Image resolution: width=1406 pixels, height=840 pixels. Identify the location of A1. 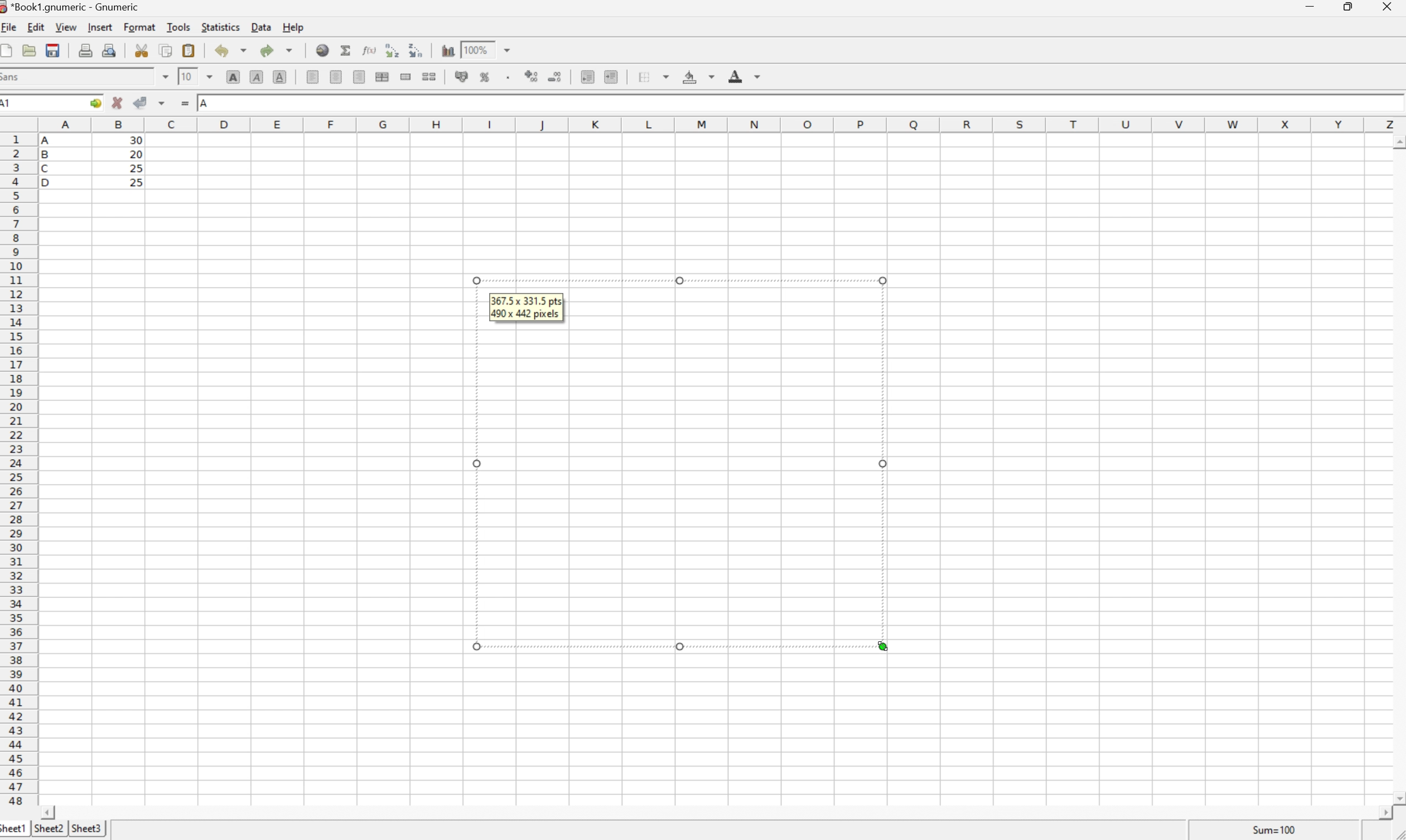
(13, 104).